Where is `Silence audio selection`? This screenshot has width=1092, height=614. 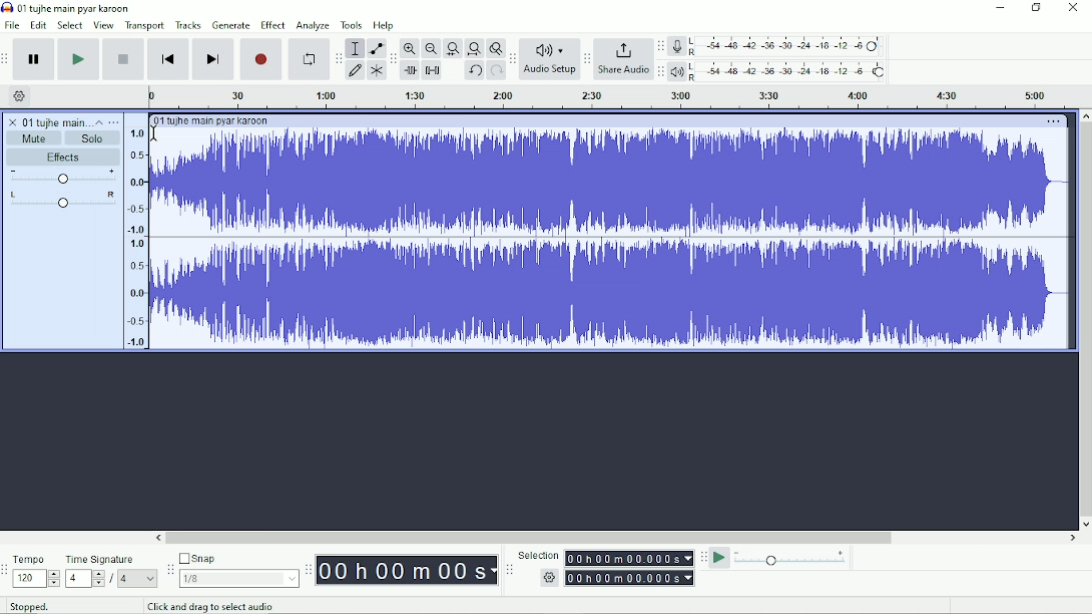
Silence audio selection is located at coordinates (433, 71).